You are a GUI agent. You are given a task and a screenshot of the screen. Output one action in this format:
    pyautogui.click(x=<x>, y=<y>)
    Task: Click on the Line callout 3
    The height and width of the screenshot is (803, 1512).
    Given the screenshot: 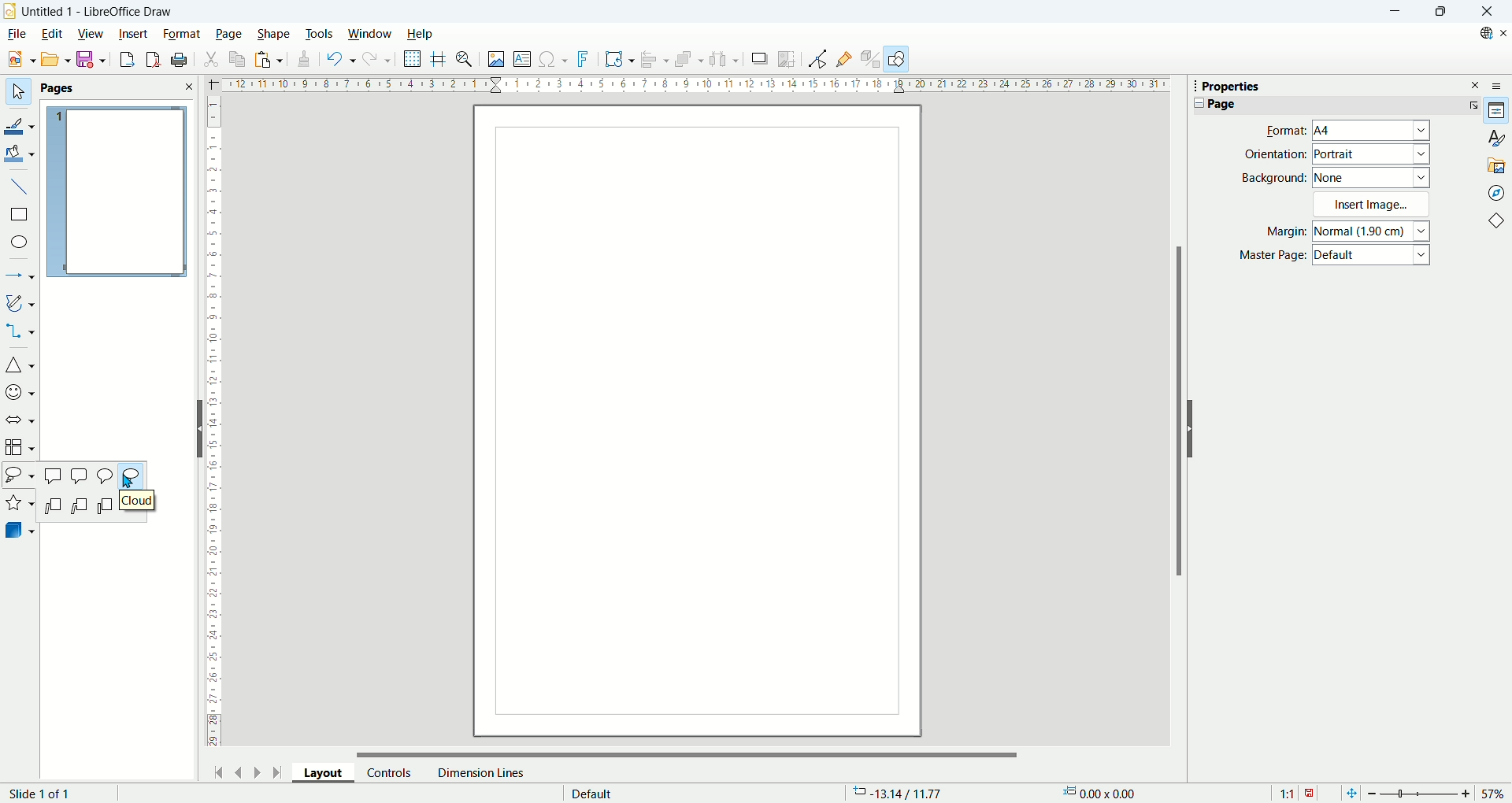 What is the action you would take?
    pyautogui.click(x=105, y=505)
    